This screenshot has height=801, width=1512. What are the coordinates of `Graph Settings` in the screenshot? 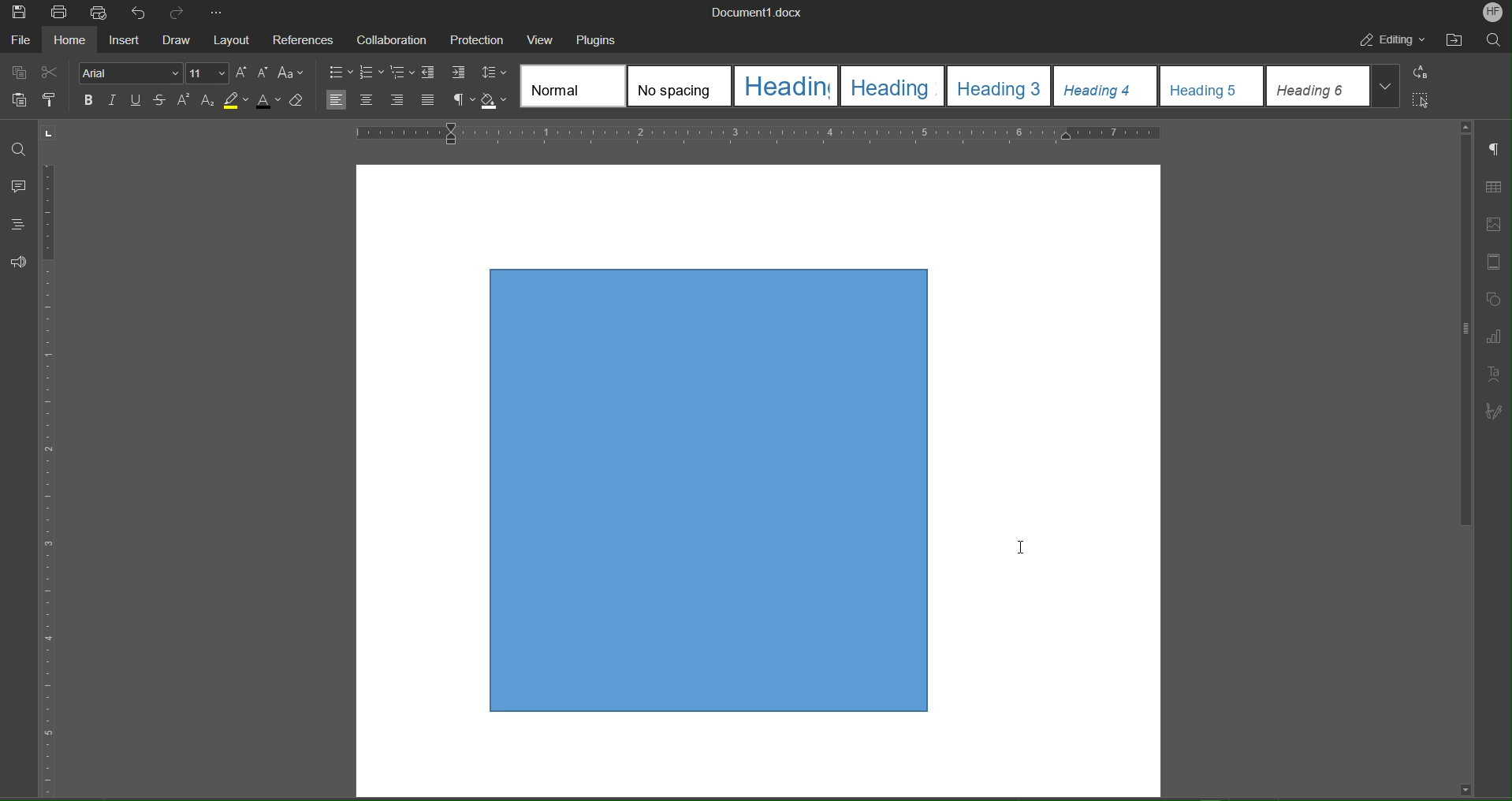 It's located at (1497, 337).